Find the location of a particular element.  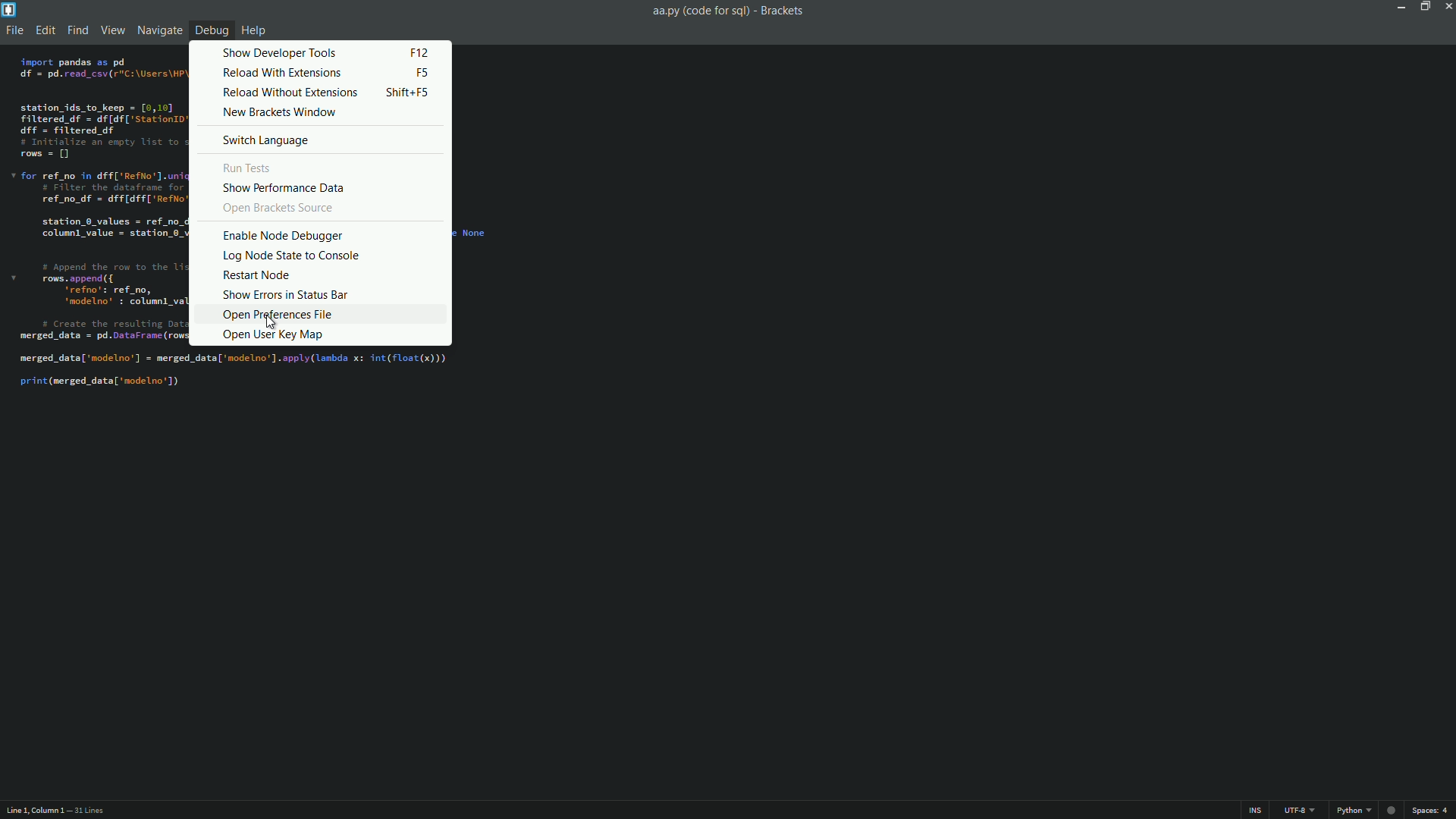

open user key map is located at coordinates (272, 334).